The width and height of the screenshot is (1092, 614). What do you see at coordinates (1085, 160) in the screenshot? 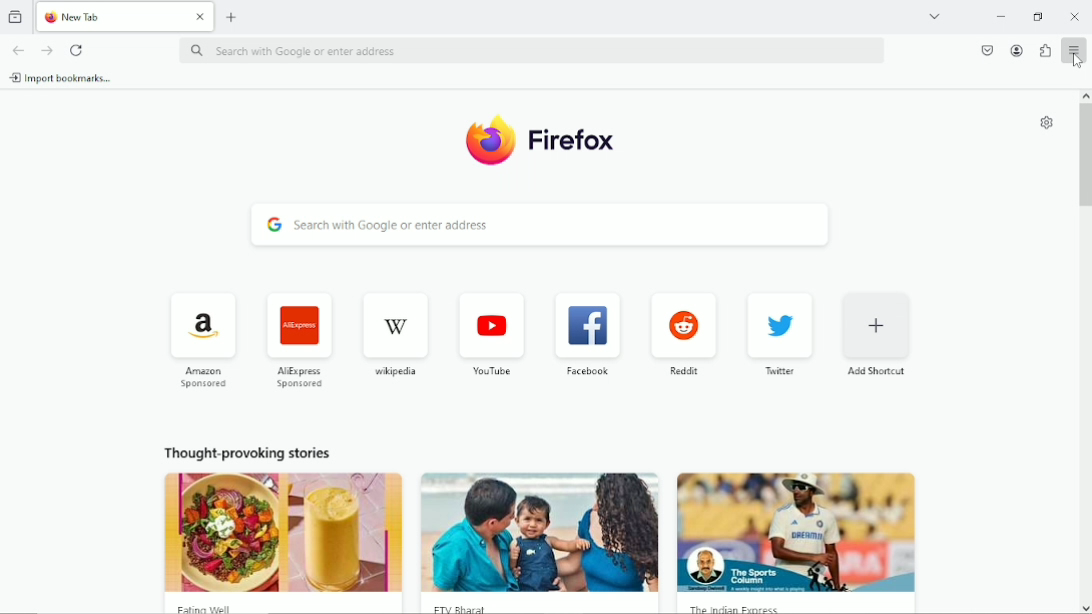
I see `vertical scrollbar` at bounding box center [1085, 160].